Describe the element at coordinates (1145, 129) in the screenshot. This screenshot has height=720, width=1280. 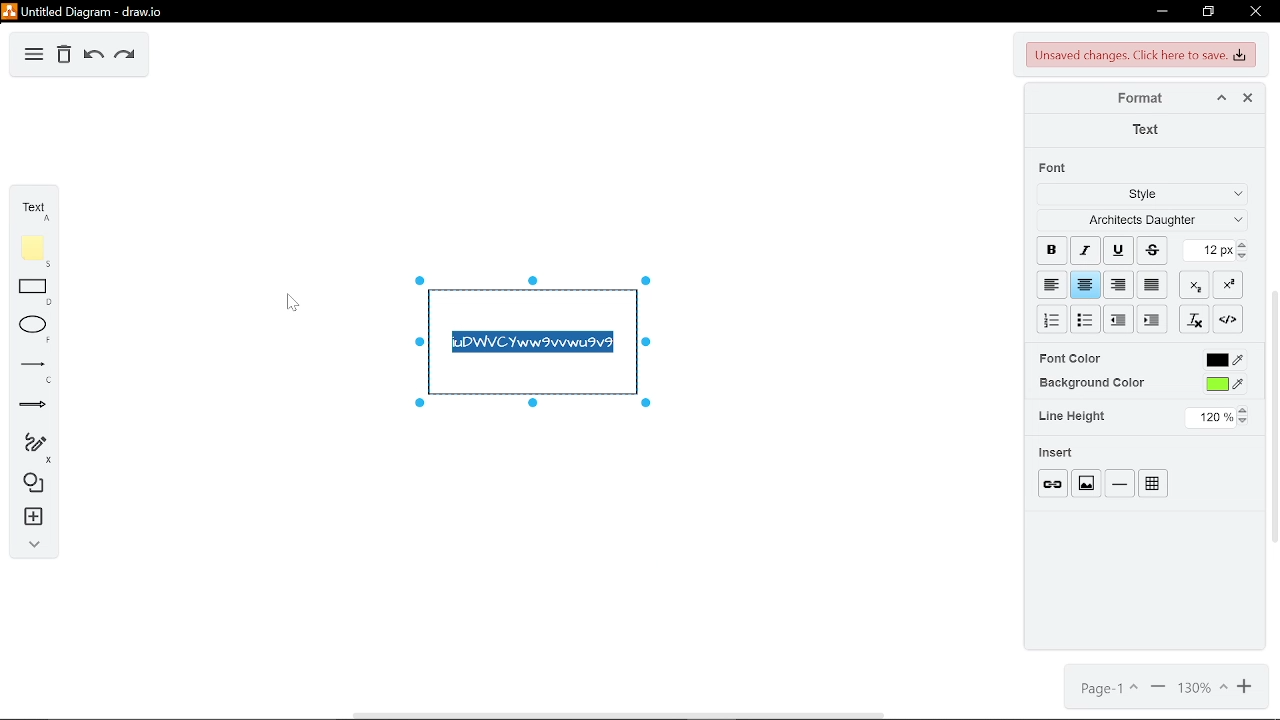
I see `text` at that location.